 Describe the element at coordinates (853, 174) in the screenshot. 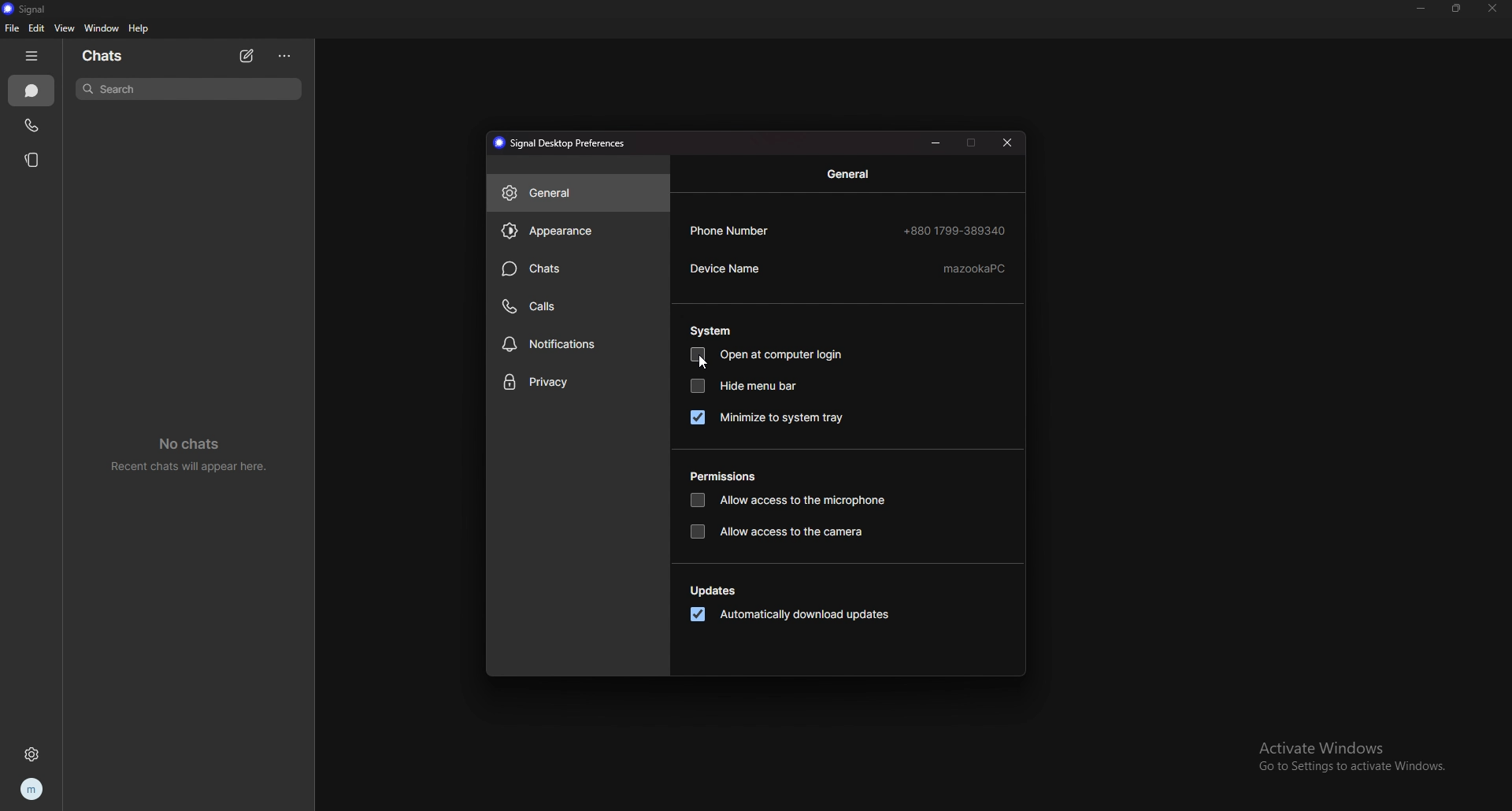

I see `general` at that location.